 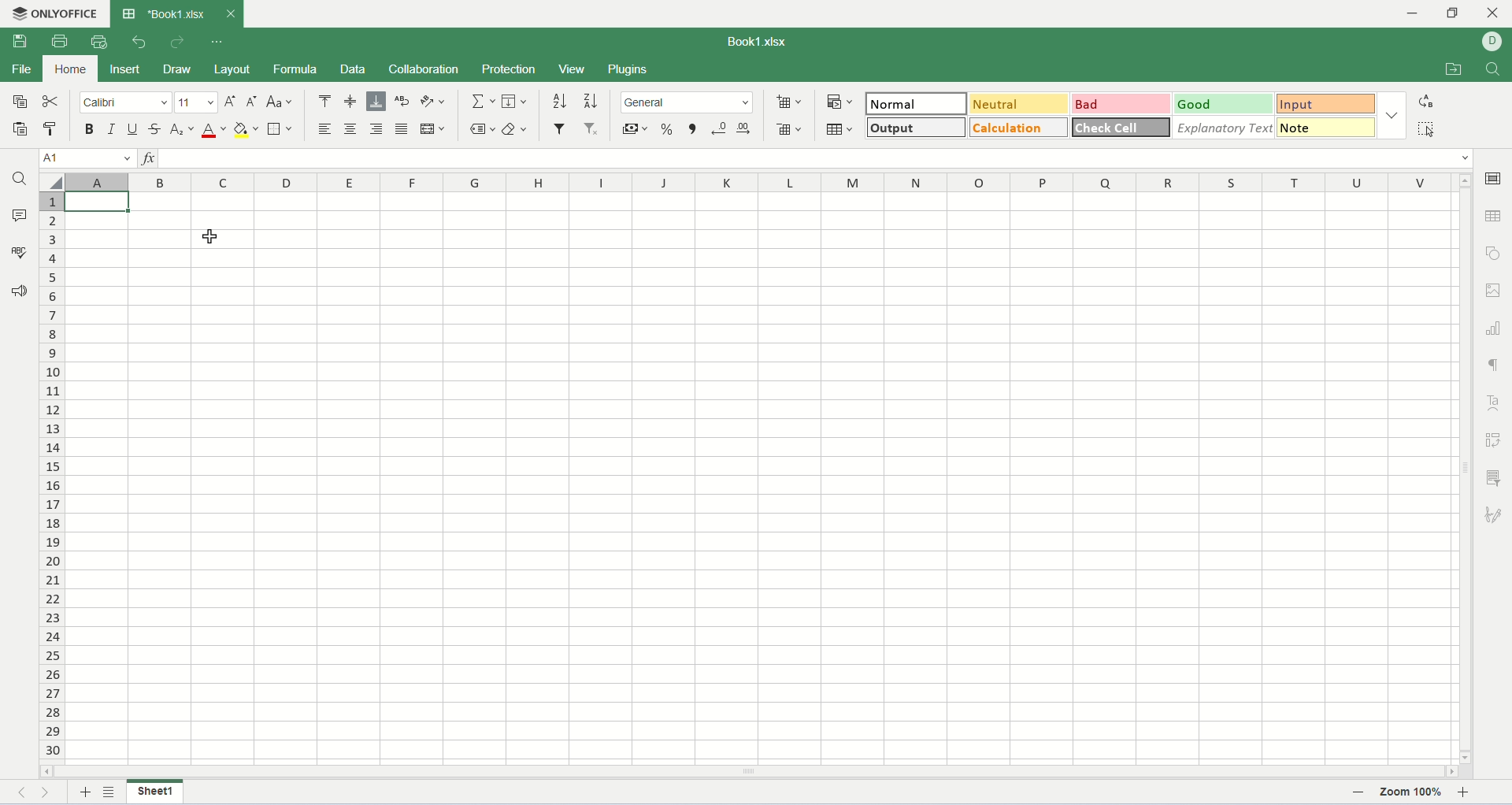 I want to click on view, so click(x=573, y=68).